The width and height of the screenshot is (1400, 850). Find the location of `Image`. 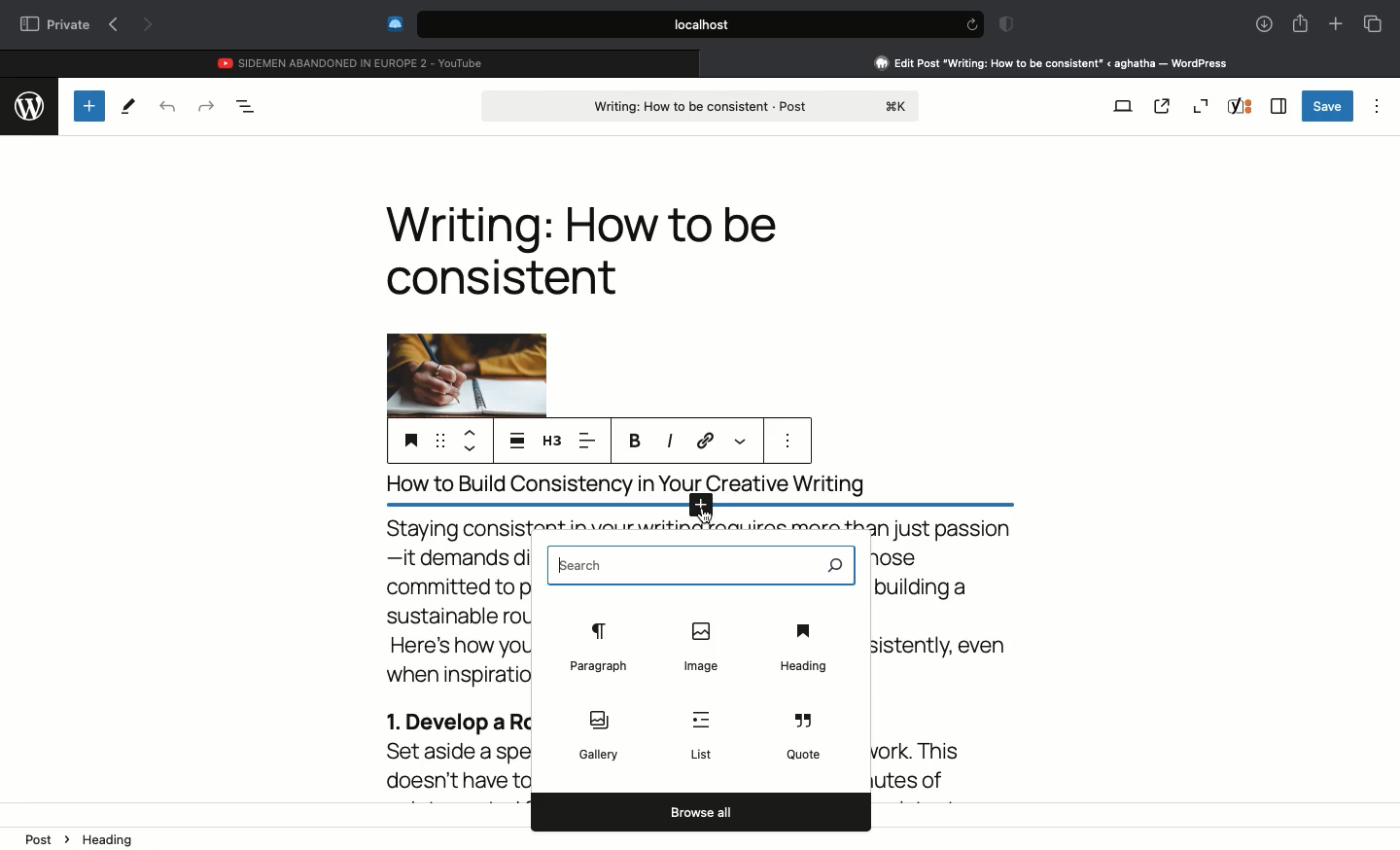

Image is located at coordinates (704, 647).